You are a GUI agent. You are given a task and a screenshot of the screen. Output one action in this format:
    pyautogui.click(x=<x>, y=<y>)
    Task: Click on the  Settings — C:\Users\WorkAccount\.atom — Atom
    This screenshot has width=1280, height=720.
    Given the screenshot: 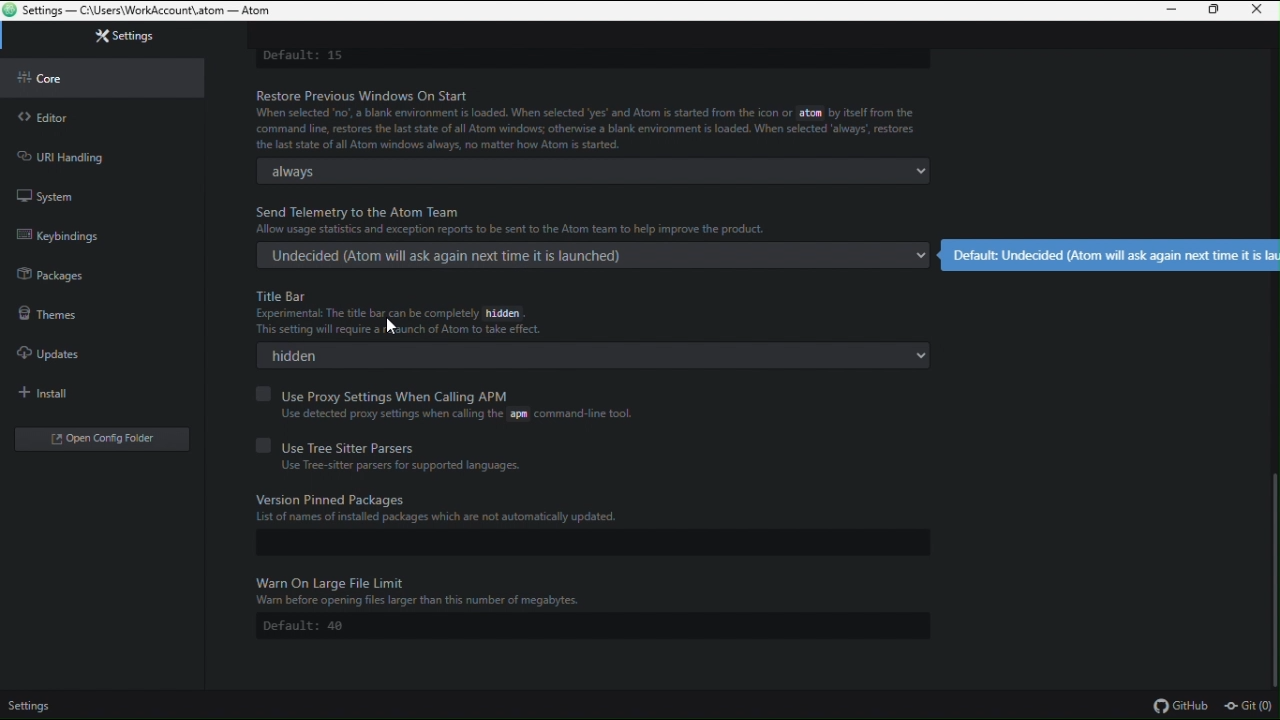 What is the action you would take?
    pyautogui.click(x=151, y=11)
    